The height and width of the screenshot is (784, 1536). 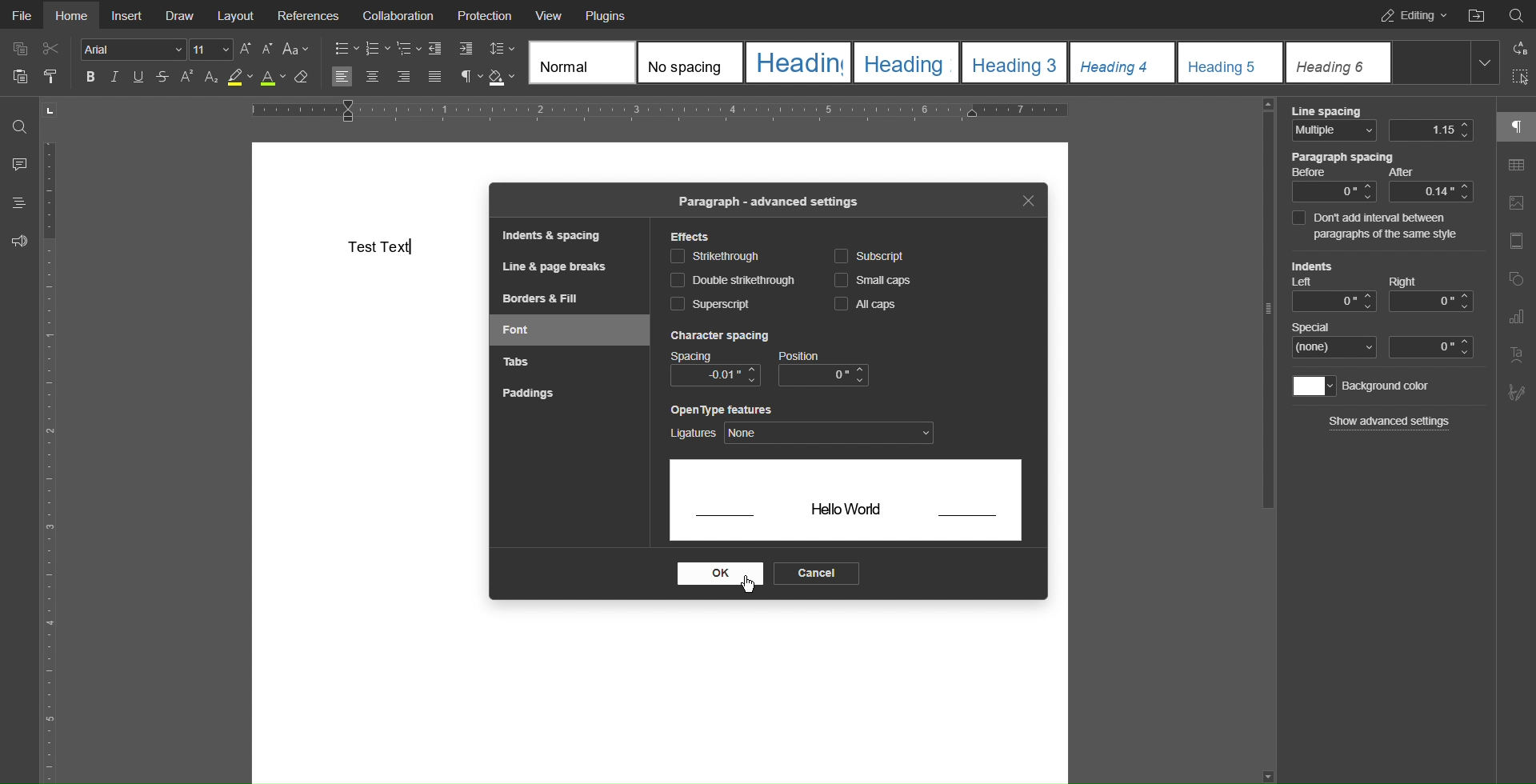 What do you see at coordinates (161, 78) in the screenshot?
I see `Strikethrough` at bounding box center [161, 78].